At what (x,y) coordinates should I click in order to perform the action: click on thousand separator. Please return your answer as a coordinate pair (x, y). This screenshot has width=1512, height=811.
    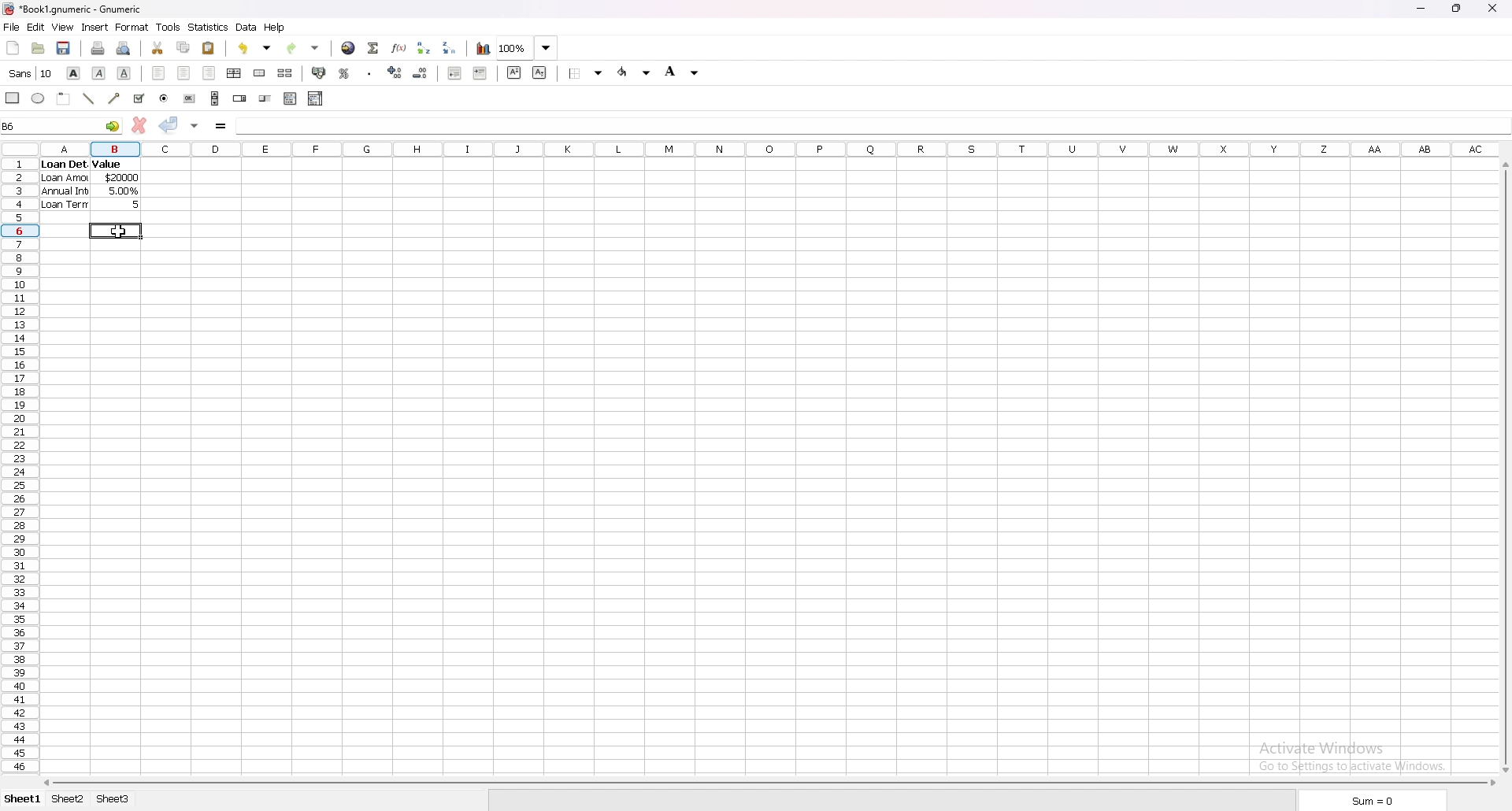
    Looking at the image, I should click on (370, 72).